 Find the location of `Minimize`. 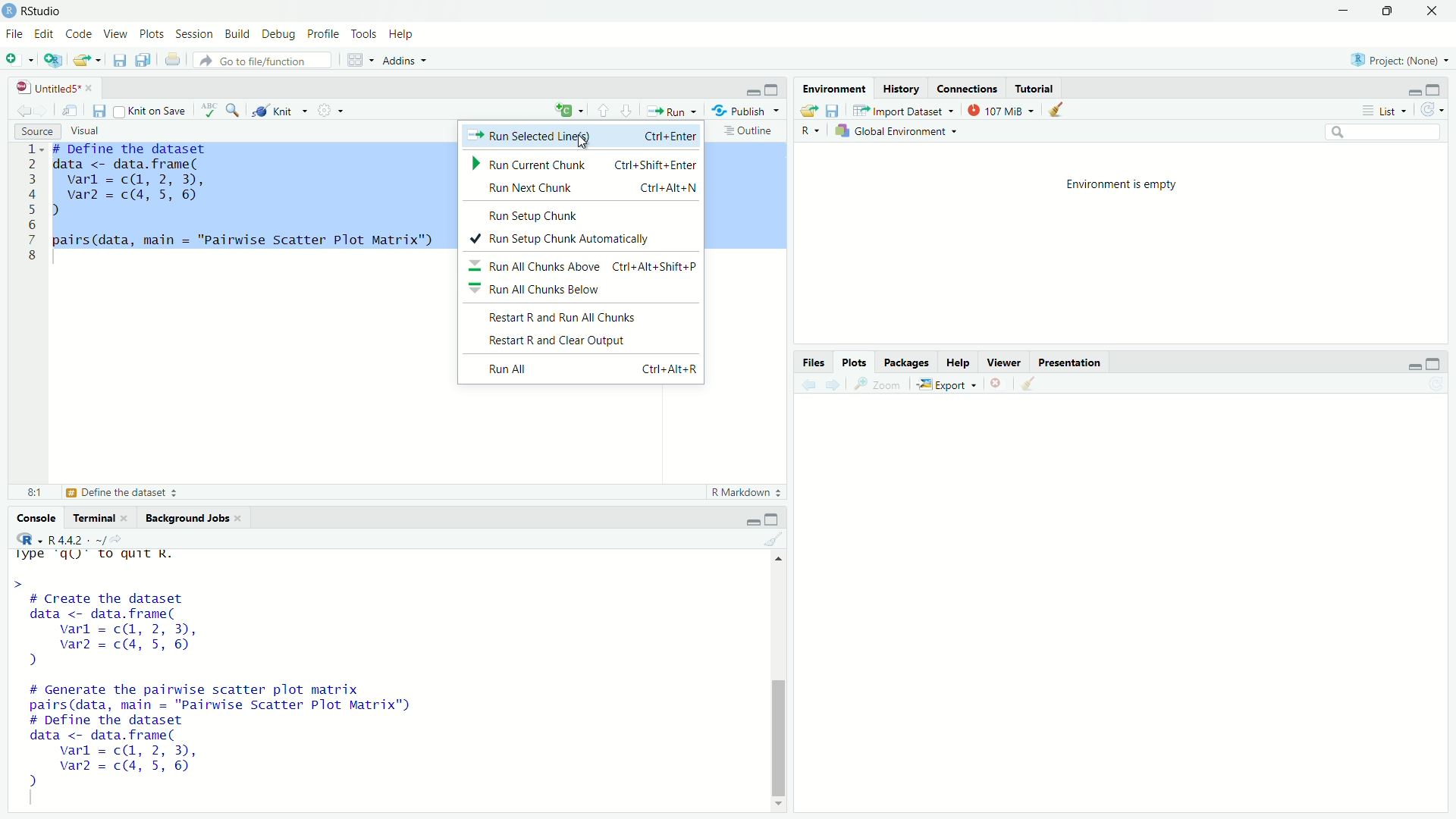

Minimize is located at coordinates (1414, 366).